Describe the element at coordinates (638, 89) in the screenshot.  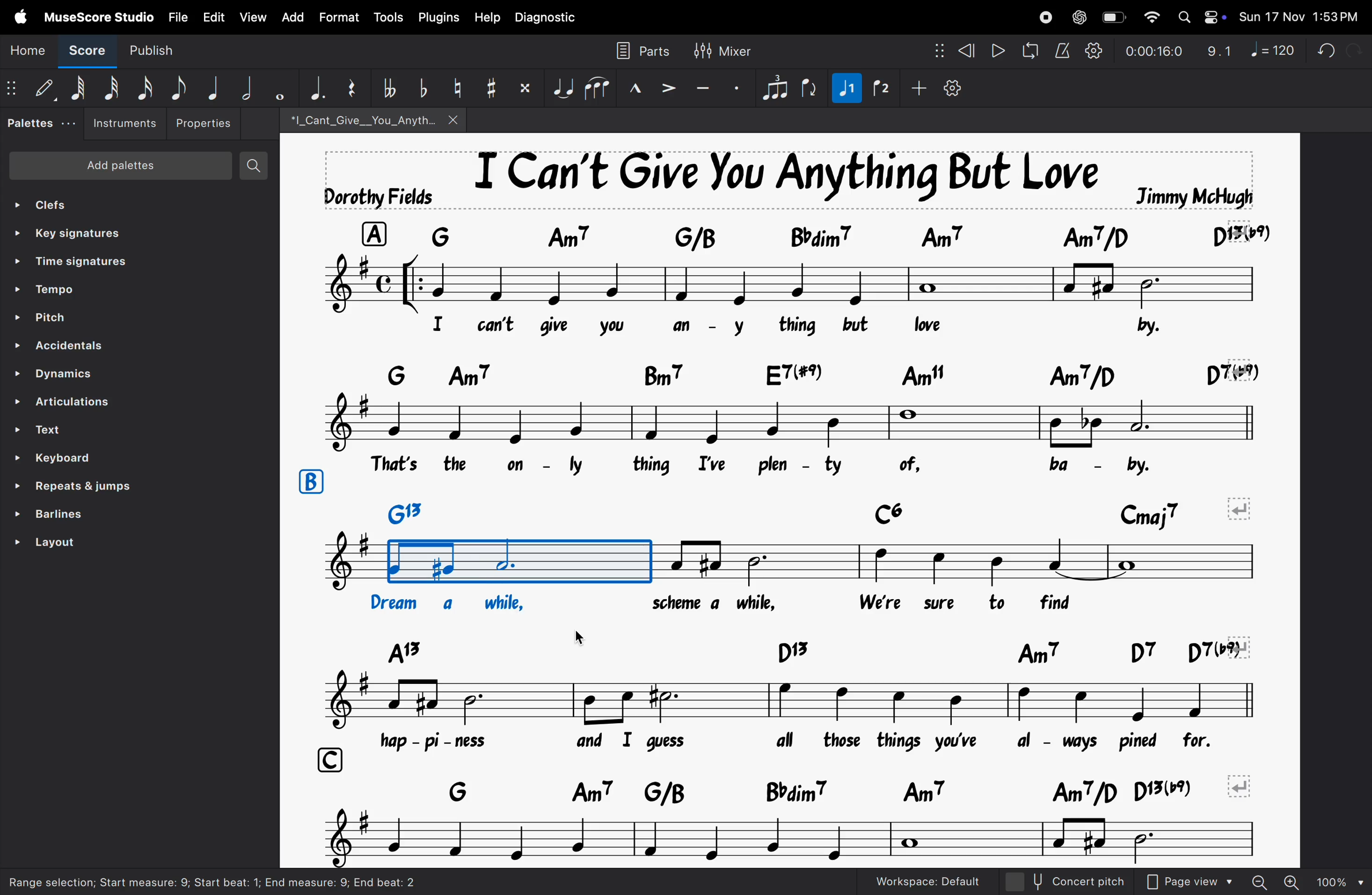
I see `marcato` at that location.